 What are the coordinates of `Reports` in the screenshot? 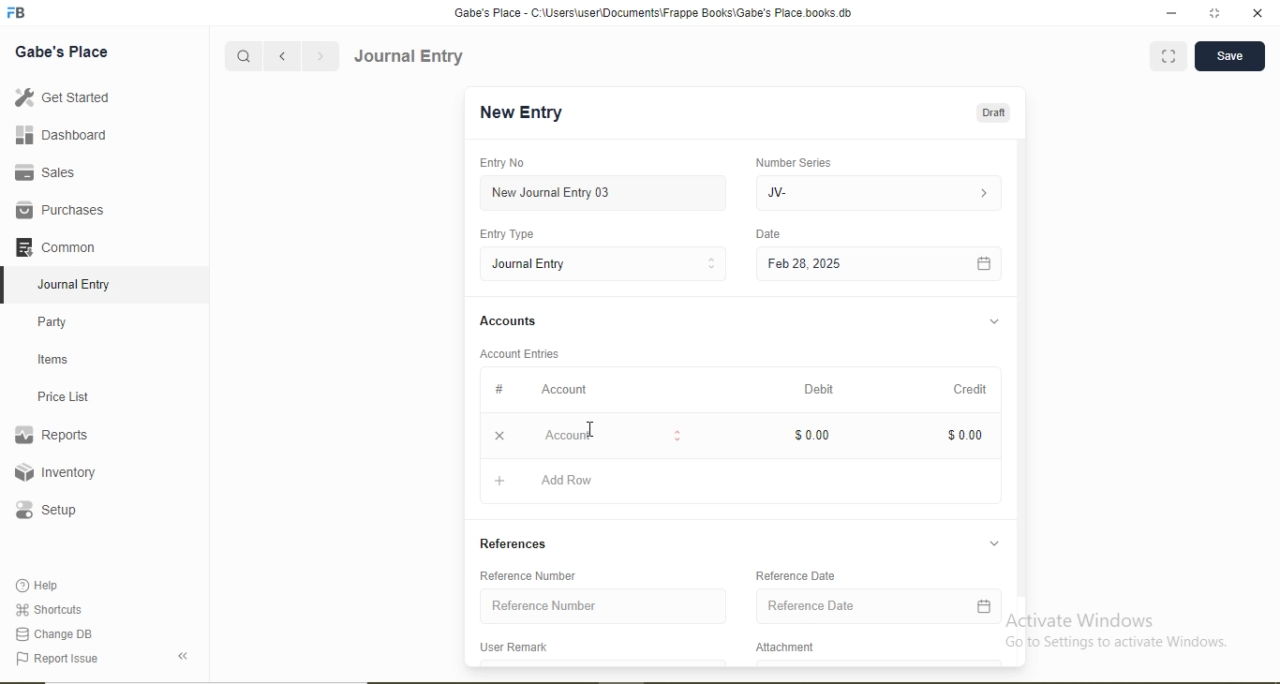 It's located at (51, 435).